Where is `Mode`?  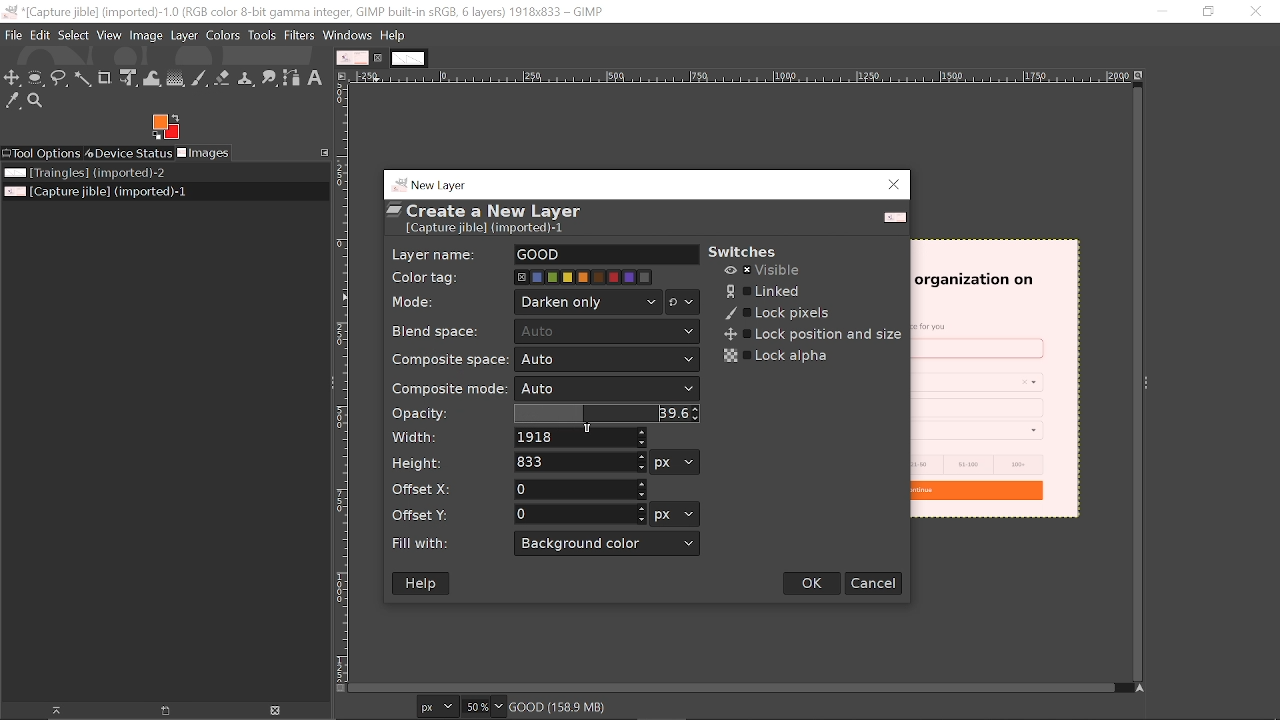
Mode is located at coordinates (589, 302).